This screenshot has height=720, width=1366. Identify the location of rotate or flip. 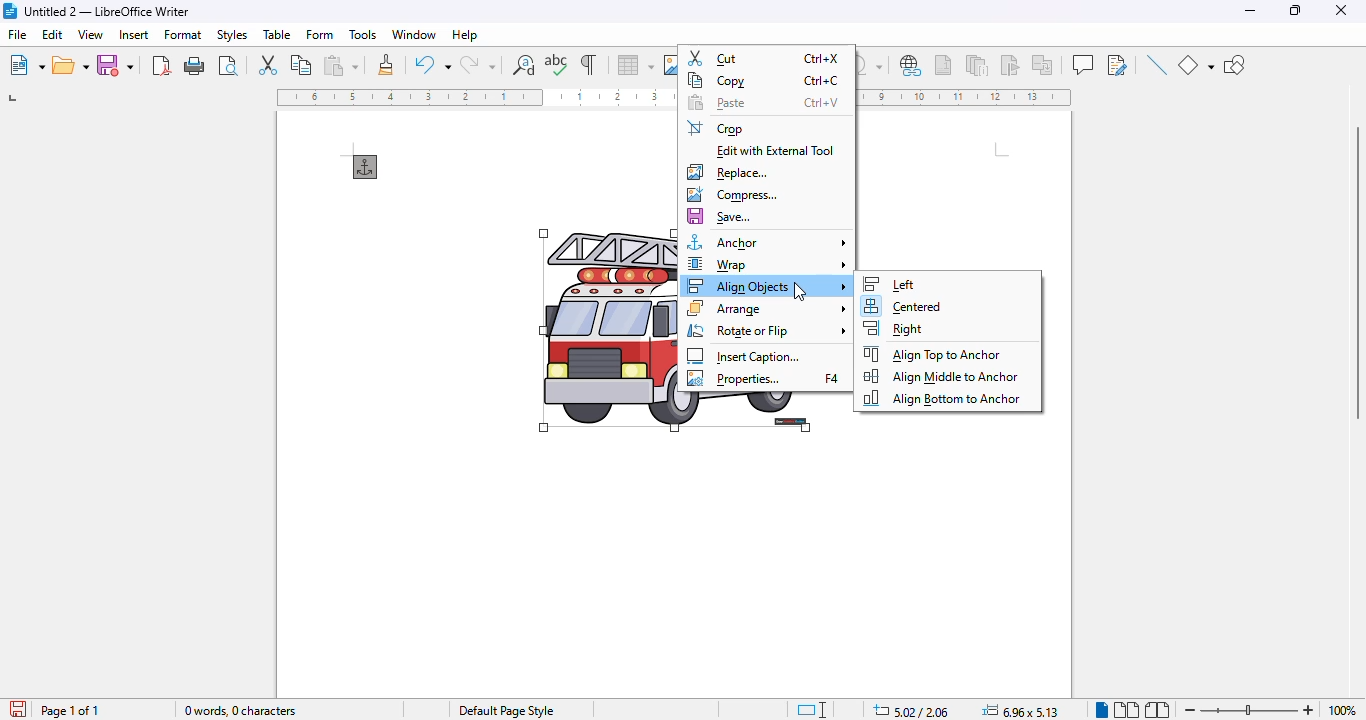
(767, 331).